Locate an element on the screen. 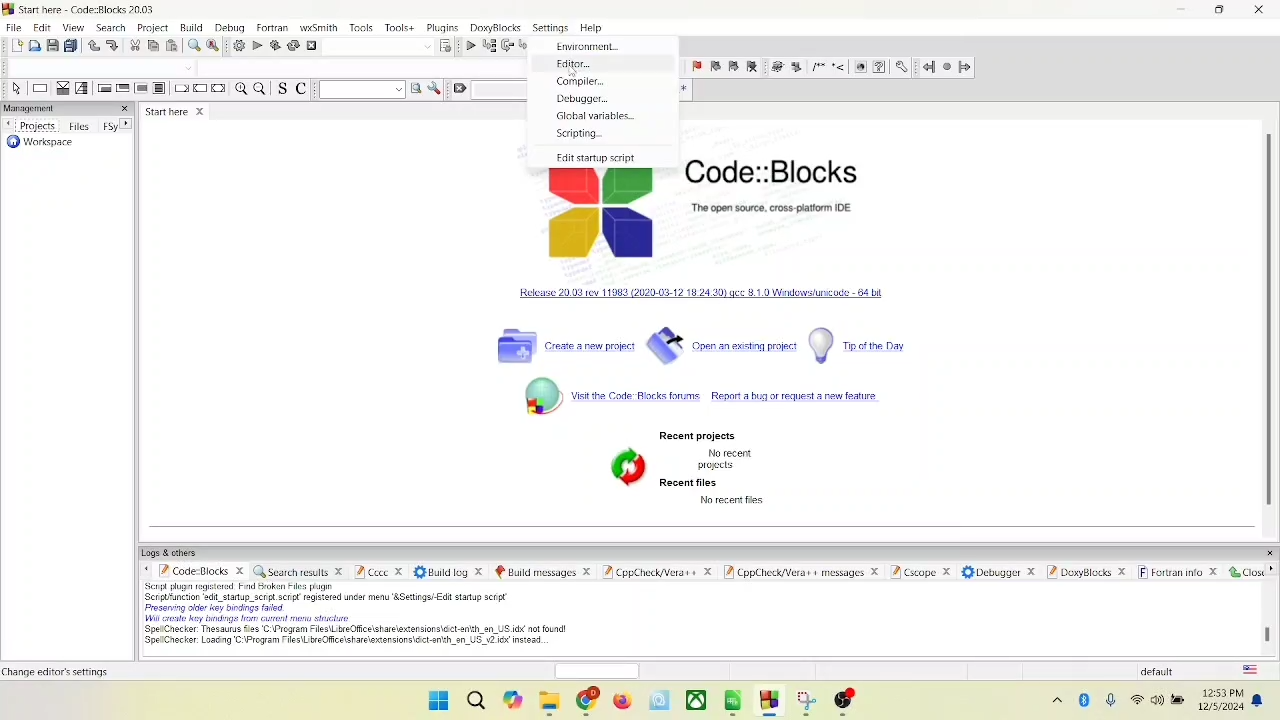 This screenshot has width=1280, height=720. wifi is located at coordinates (1136, 701).